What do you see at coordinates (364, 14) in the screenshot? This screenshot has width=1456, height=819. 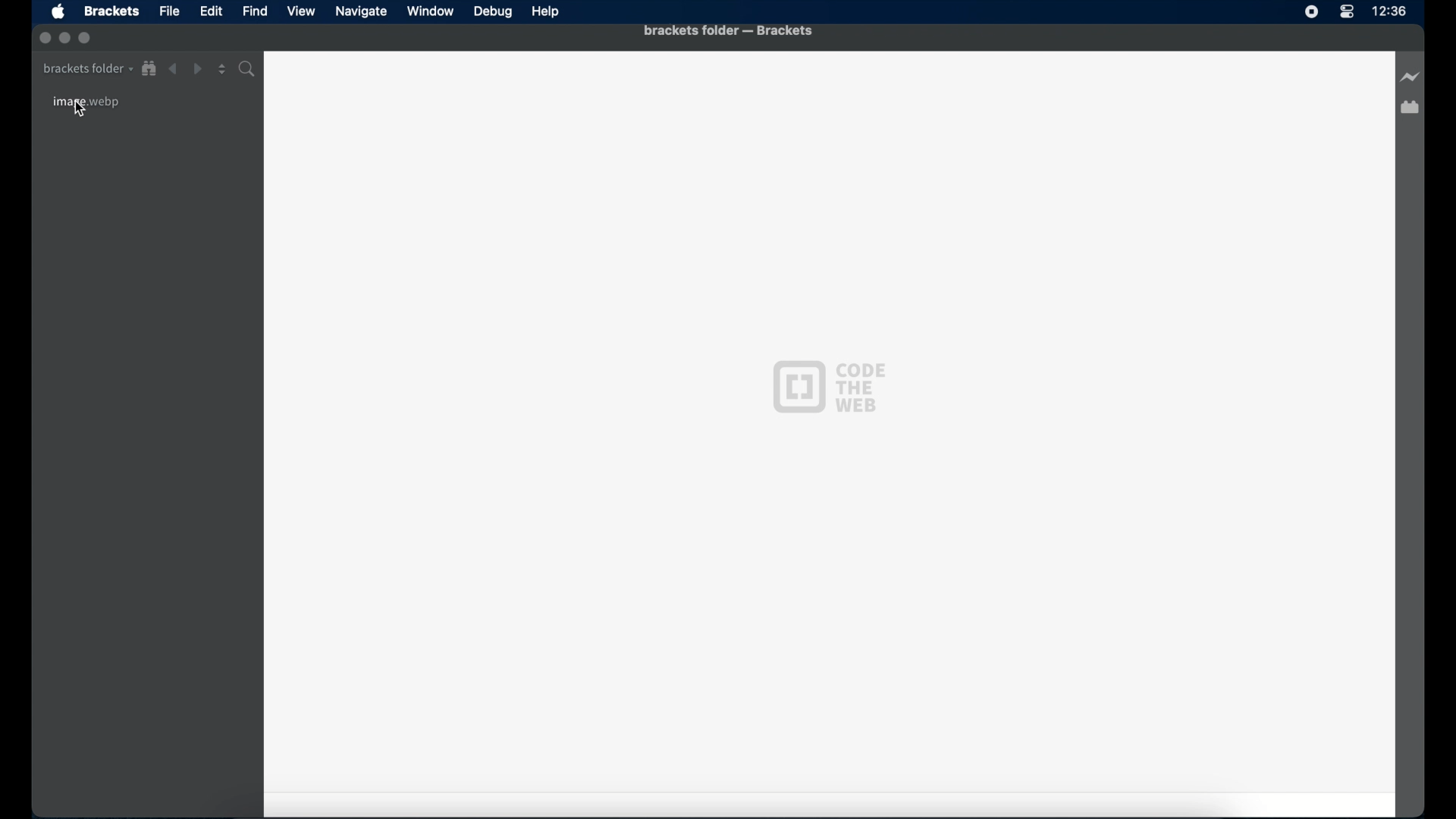 I see `Navigate` at bounding box center [364, 14].